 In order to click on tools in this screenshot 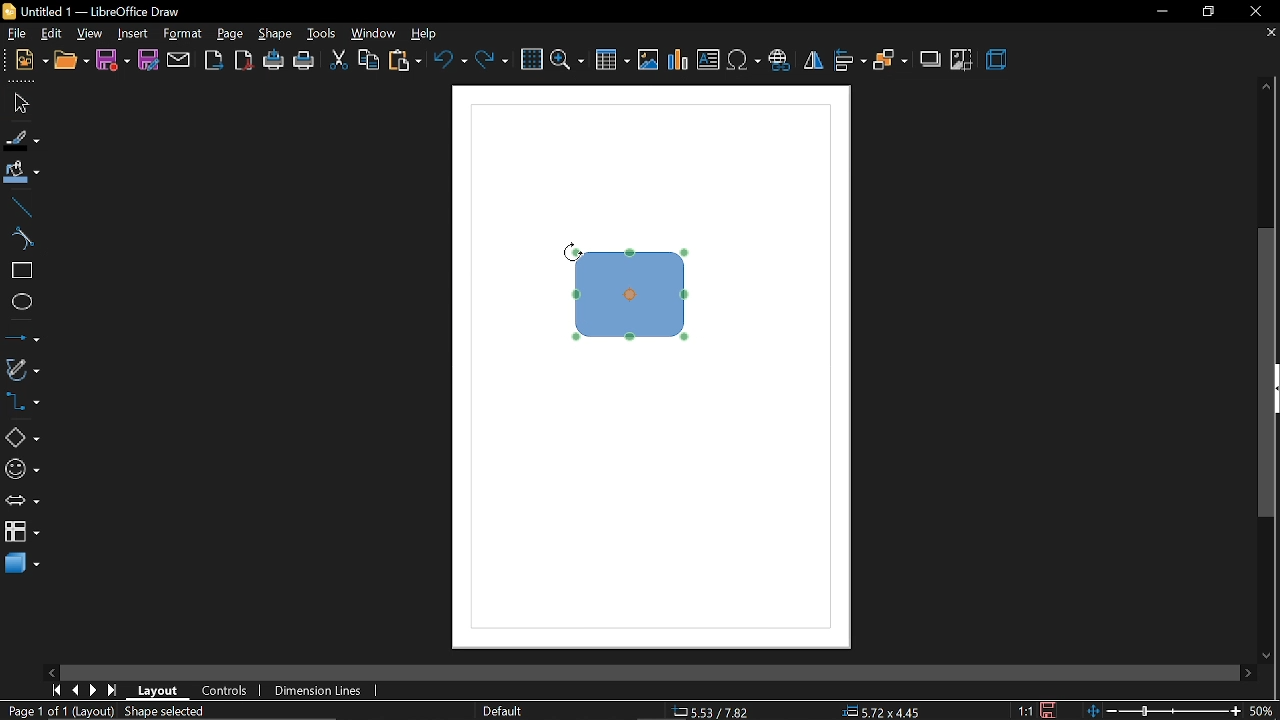, I will do `click(323, 34)`.